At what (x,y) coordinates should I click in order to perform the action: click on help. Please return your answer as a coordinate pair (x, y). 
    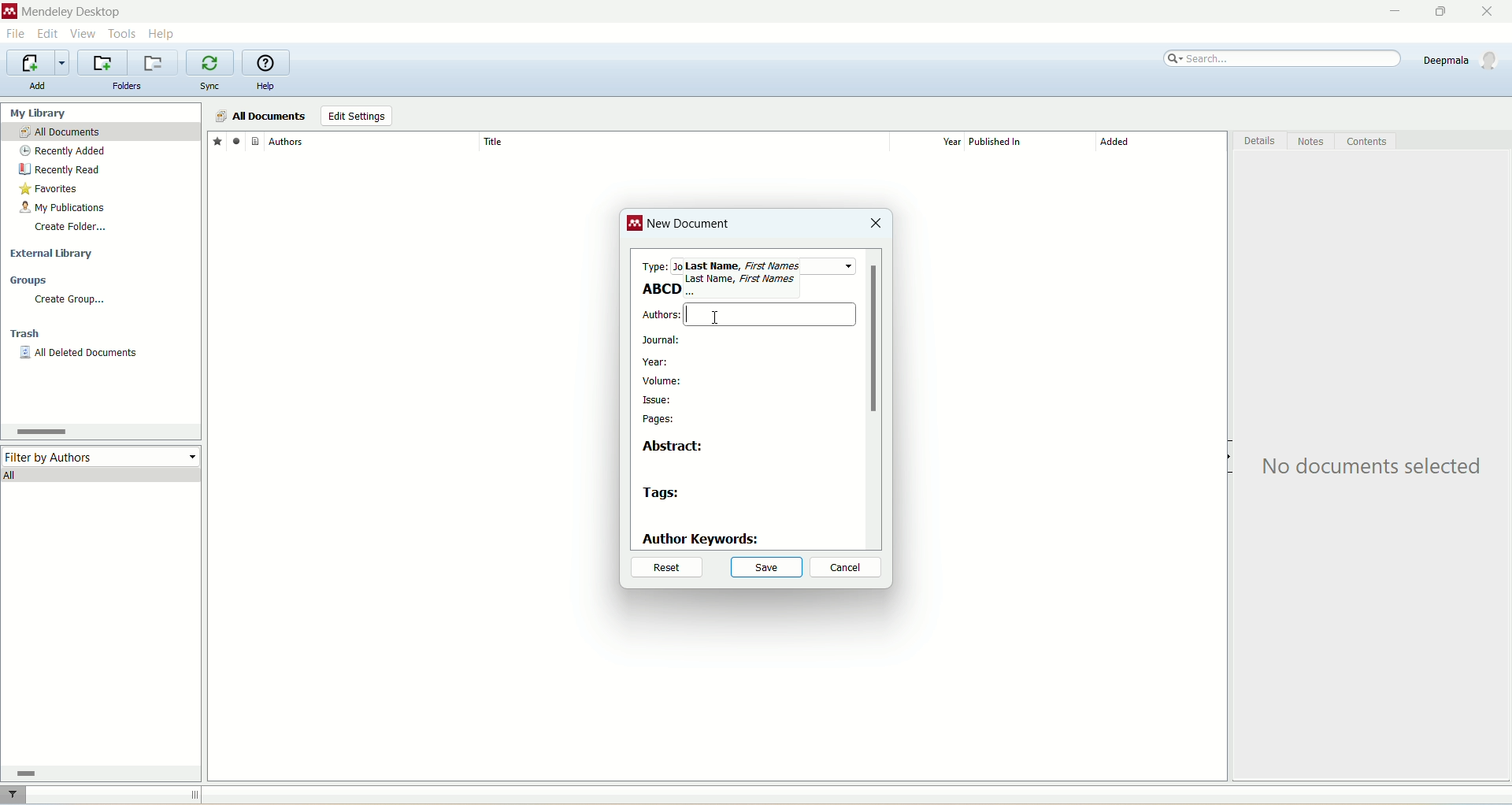
    Looking at the image, I should click on (265, 87).